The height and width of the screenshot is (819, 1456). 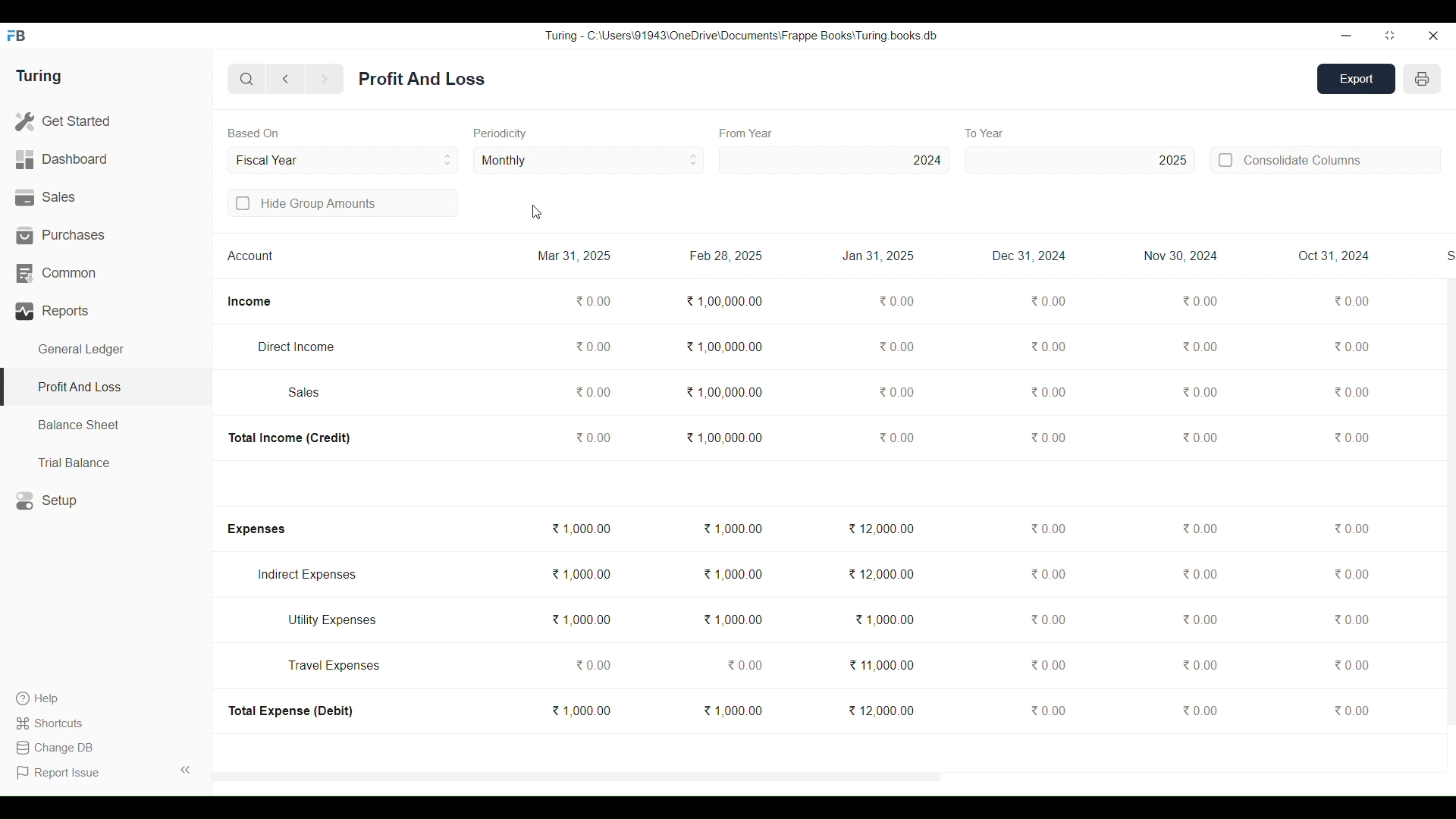 I want to click on Account, so click(x=251, y=255).